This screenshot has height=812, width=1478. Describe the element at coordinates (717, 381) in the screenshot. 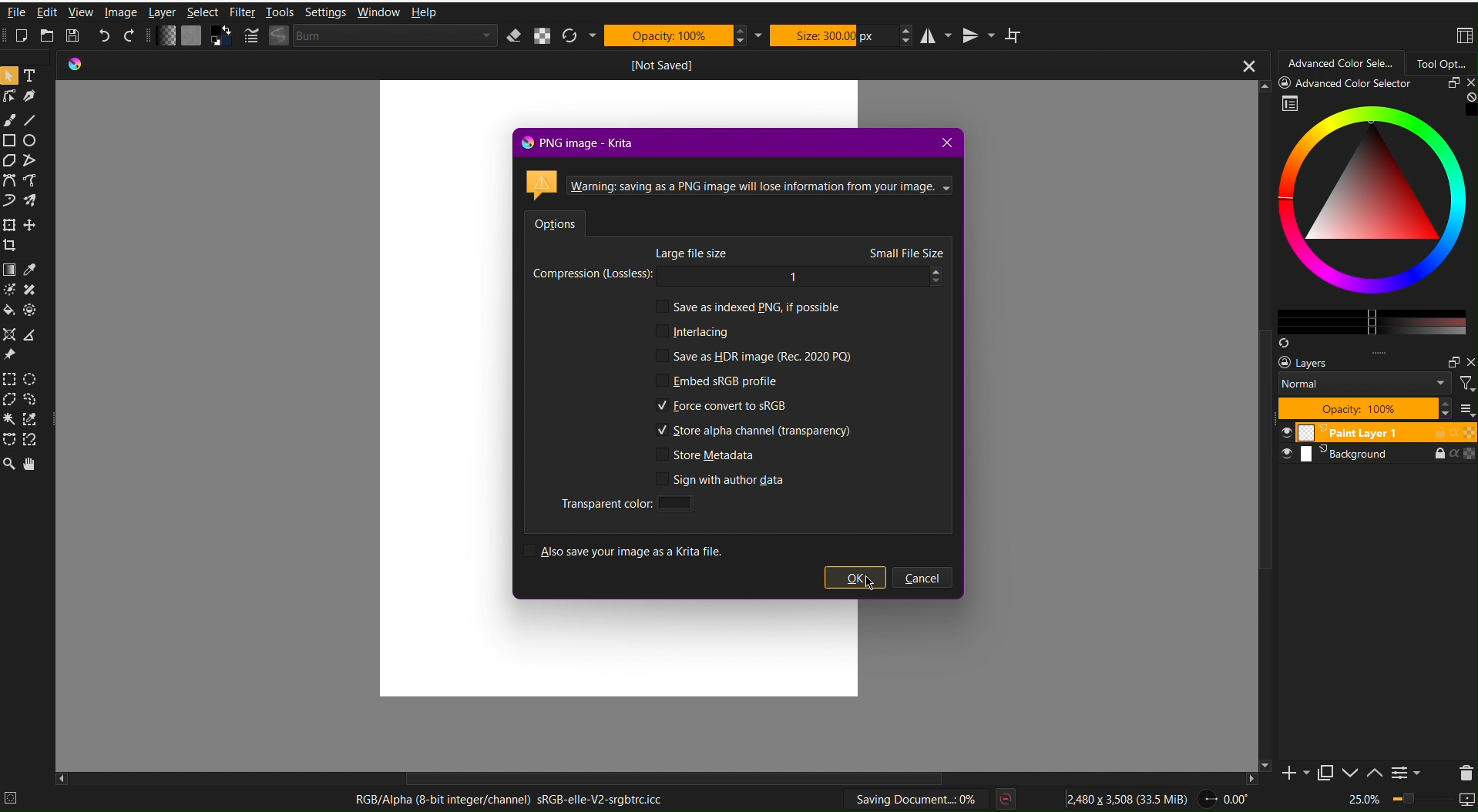

I see `Embed sRGB` at that location.